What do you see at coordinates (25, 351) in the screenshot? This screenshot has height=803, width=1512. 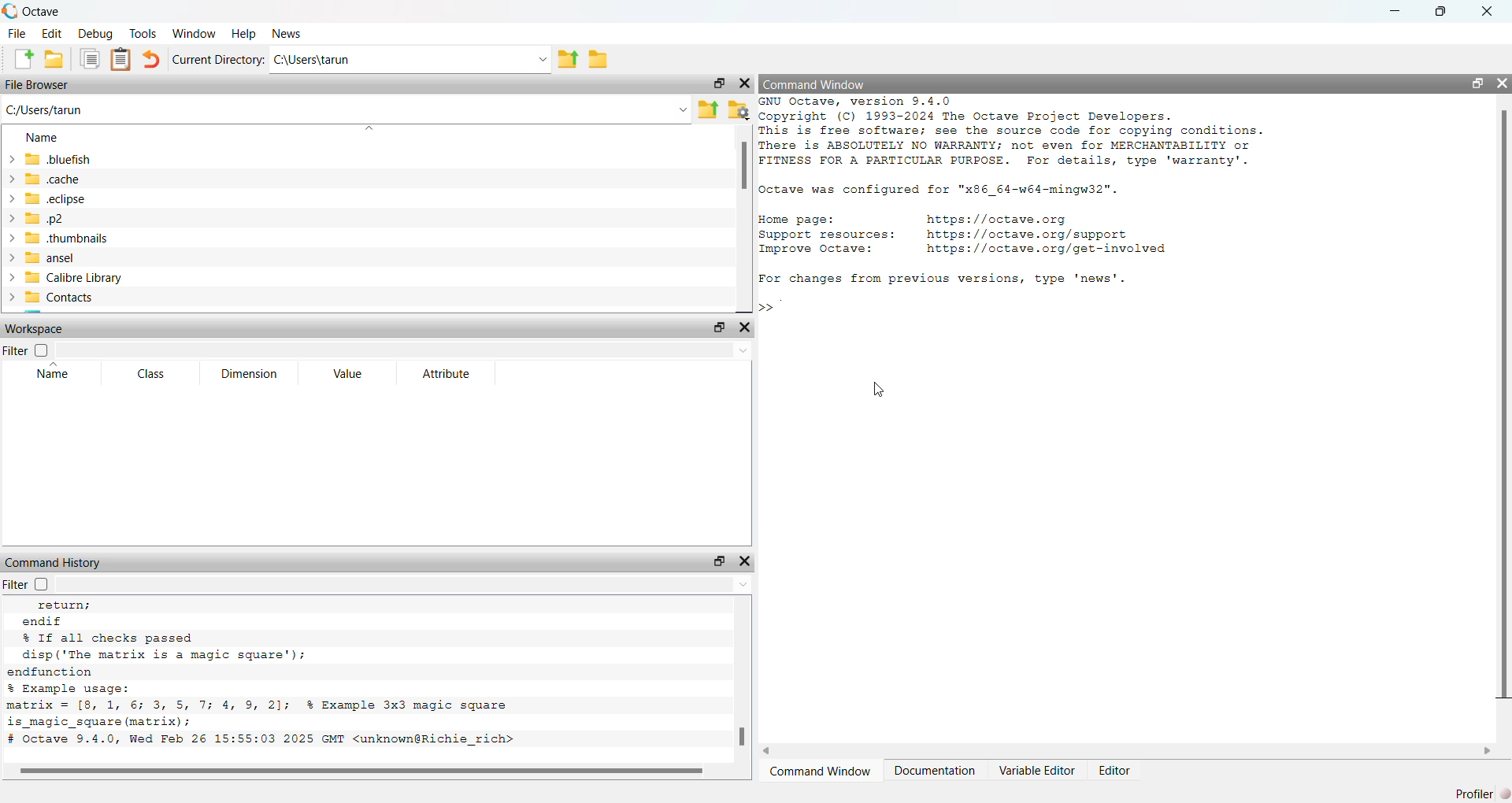 I see `Filter` at bounding box center [25, 351].